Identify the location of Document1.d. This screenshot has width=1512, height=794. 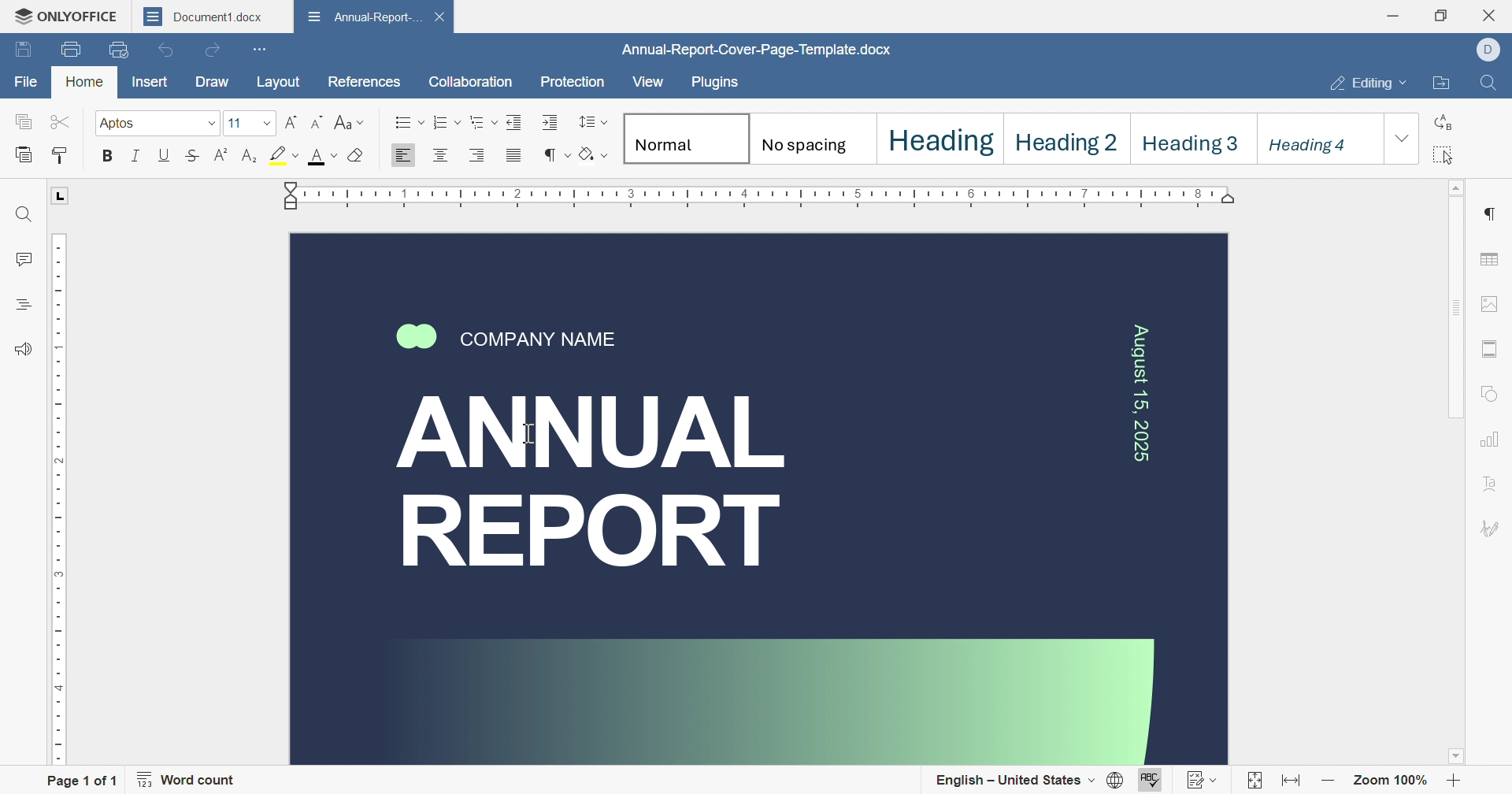
(201, 16).